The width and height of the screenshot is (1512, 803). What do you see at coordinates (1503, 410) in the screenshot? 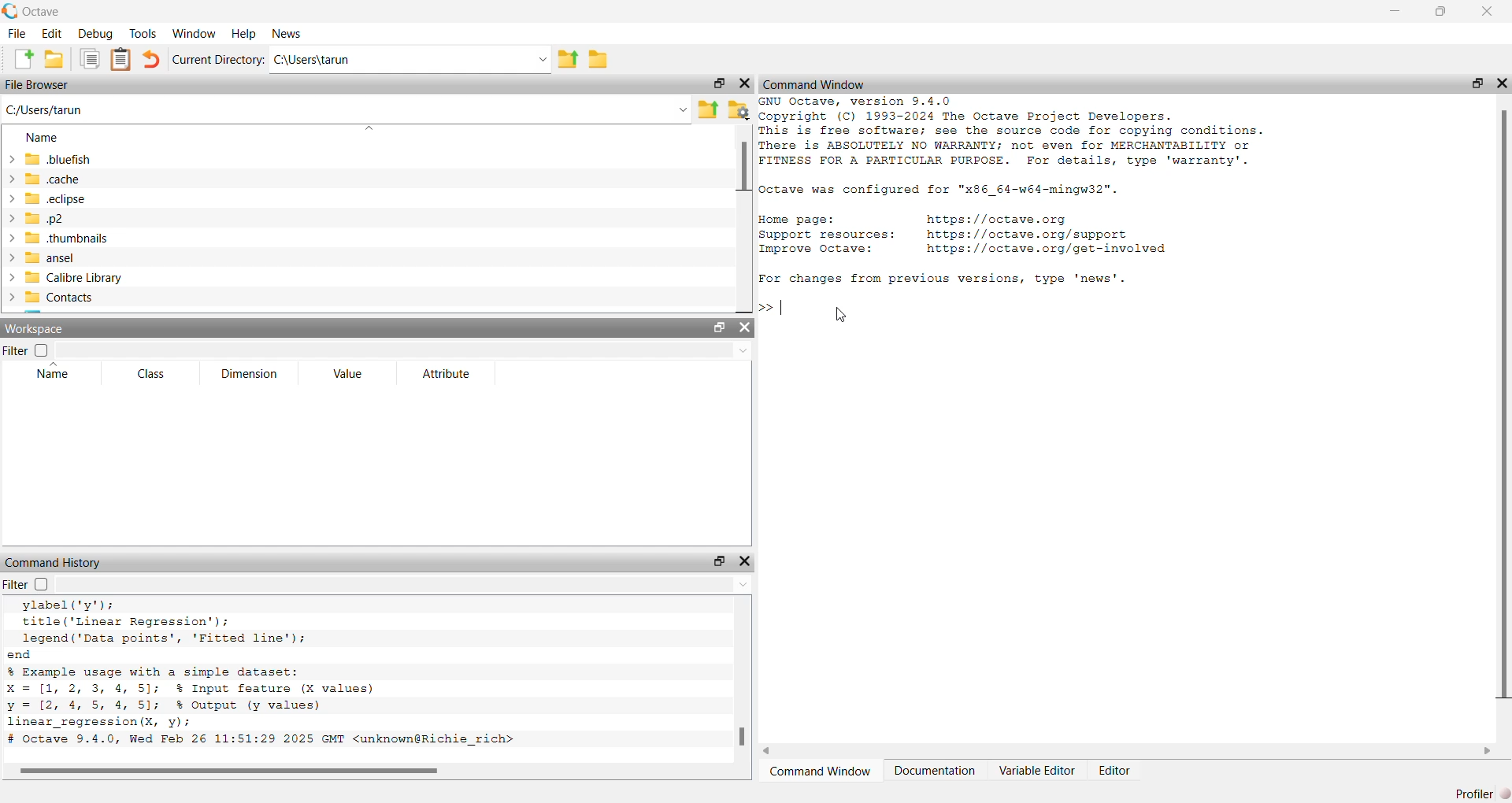
I see `scrollbar` at bounding box center [1503, 410].